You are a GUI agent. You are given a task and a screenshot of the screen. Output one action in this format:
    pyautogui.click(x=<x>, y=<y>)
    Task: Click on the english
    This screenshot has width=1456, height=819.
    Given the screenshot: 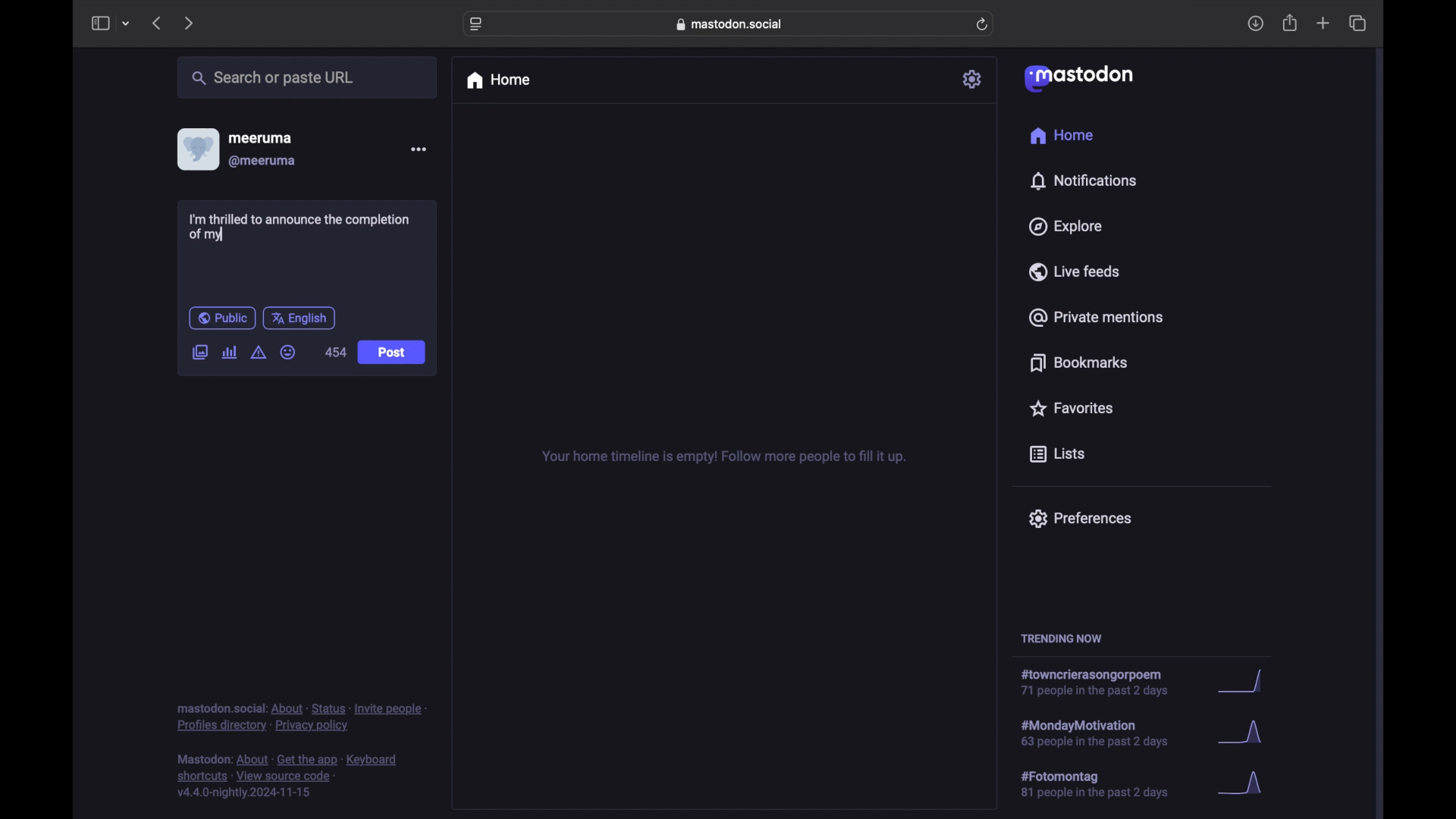 What is the action you would take?
    pyautogui.click(x=299, y=319)
    